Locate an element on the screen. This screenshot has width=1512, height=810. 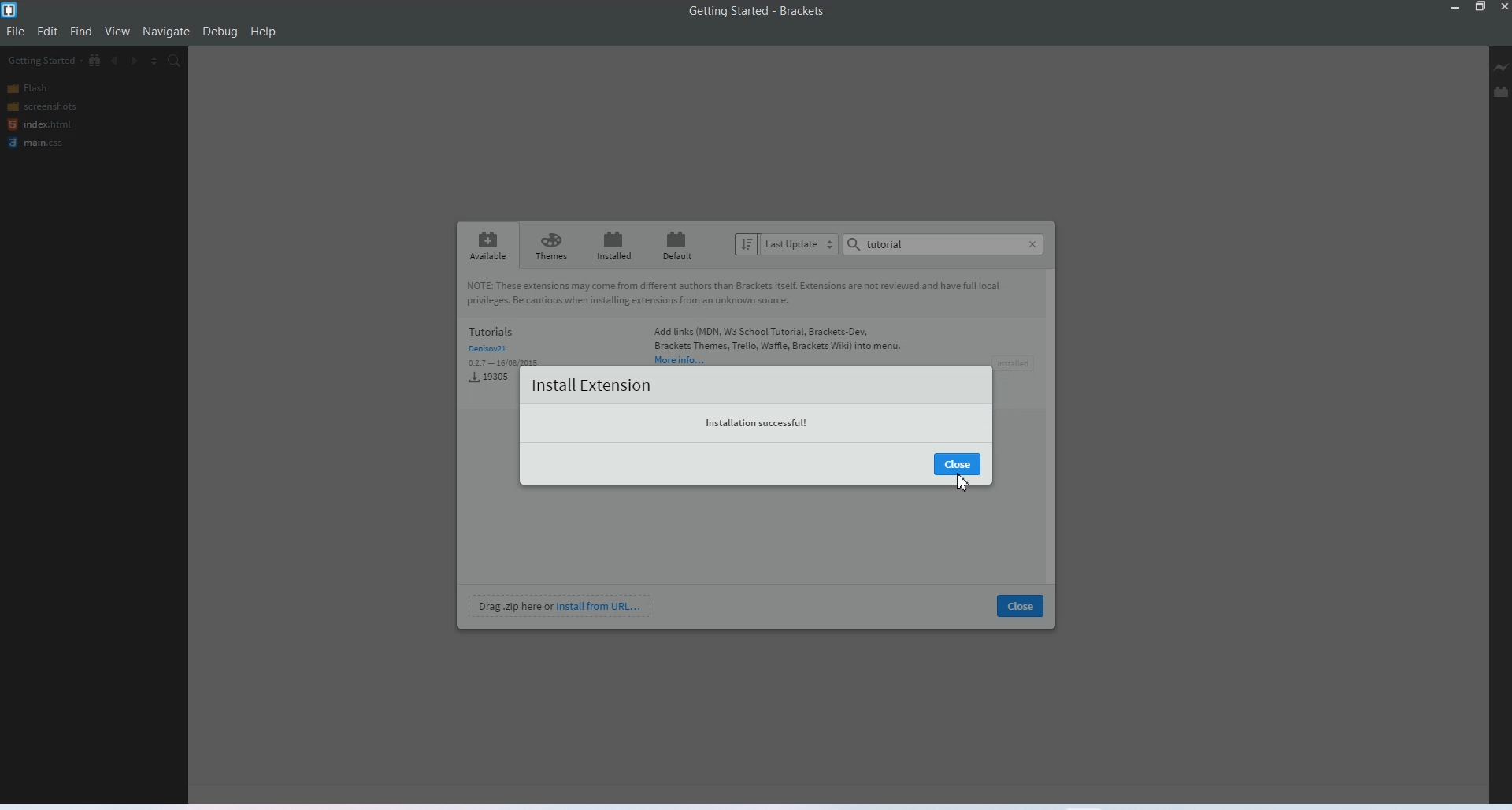
‘Add links (MDN, W3 School Tutorial, Brackets-Dev,
Brackets Themes, Trello, Waffle, Brackets Wiki) into menu. is located at coordinates (779, 346).